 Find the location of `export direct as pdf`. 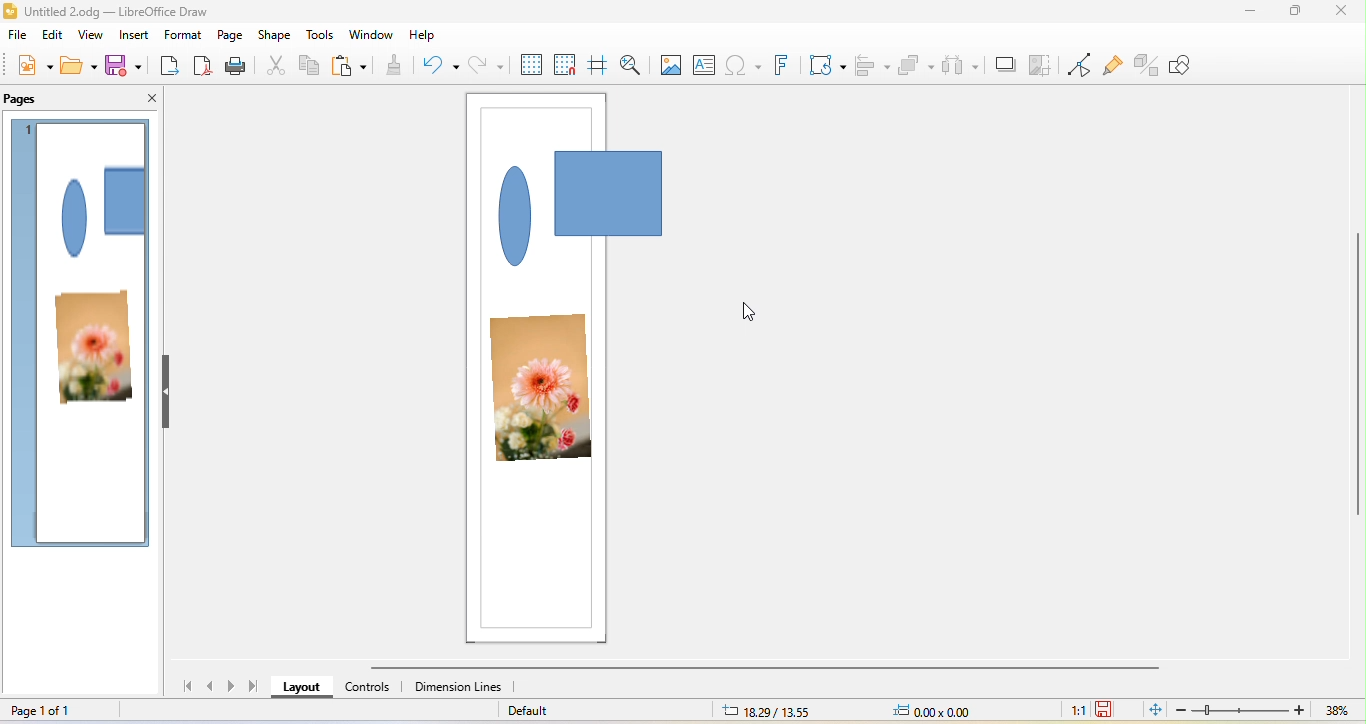

export direct as pdf is located at coordinates (205, 66).